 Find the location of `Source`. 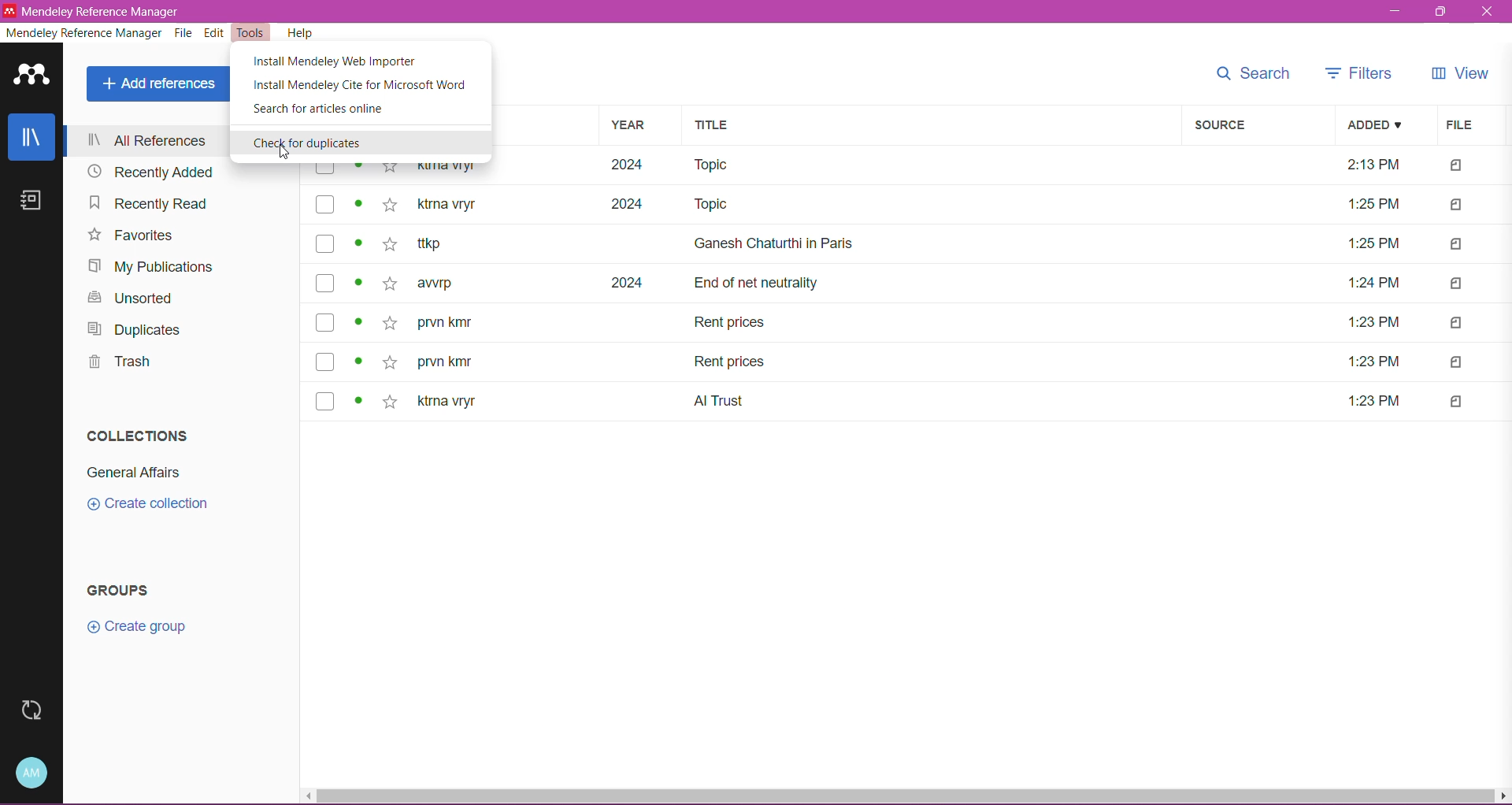

Source is located at coordinates (1262, 125).